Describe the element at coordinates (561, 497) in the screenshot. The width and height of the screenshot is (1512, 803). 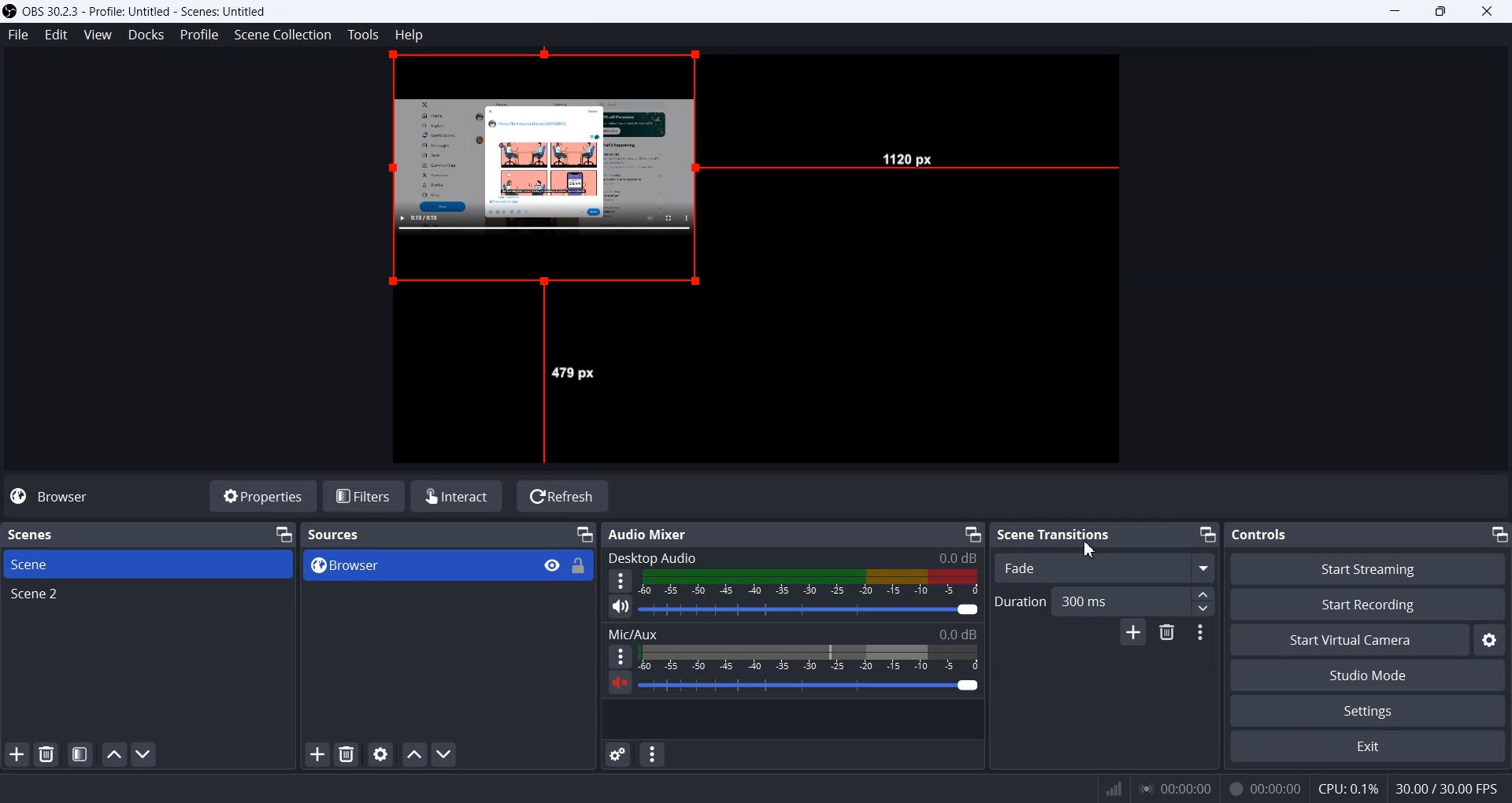
I see `Refresh` at that location.